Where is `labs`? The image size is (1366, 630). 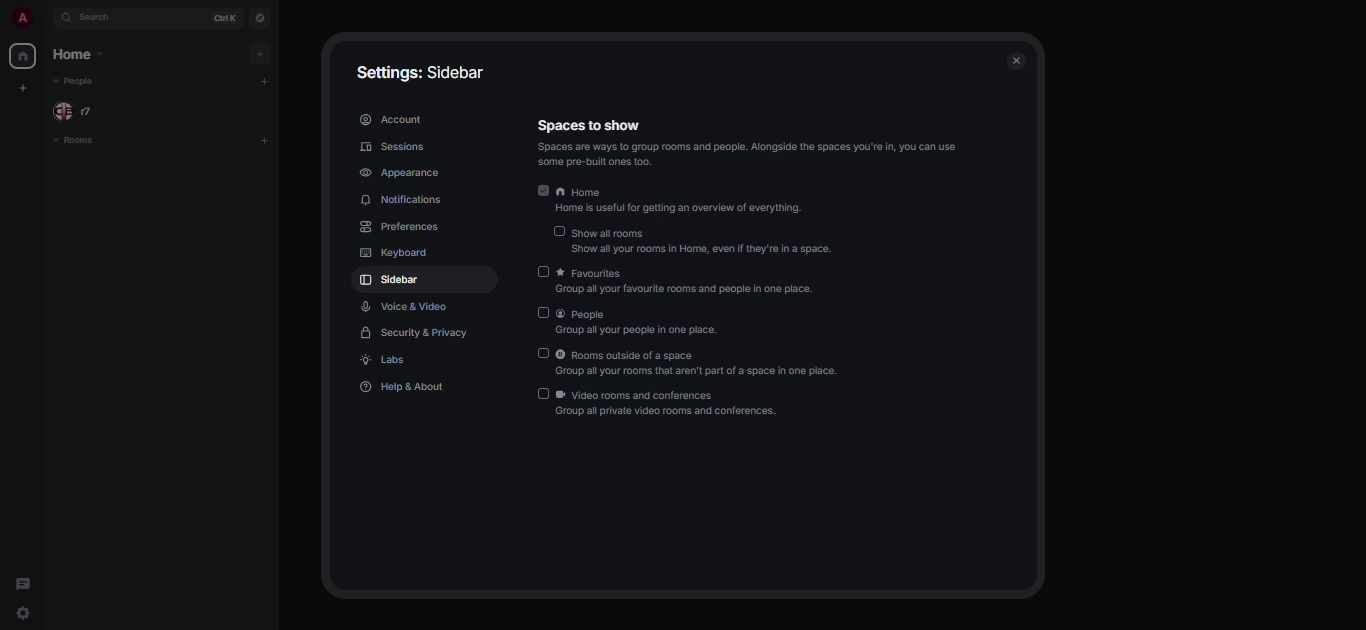 labs is located at coordinates (389, 361).